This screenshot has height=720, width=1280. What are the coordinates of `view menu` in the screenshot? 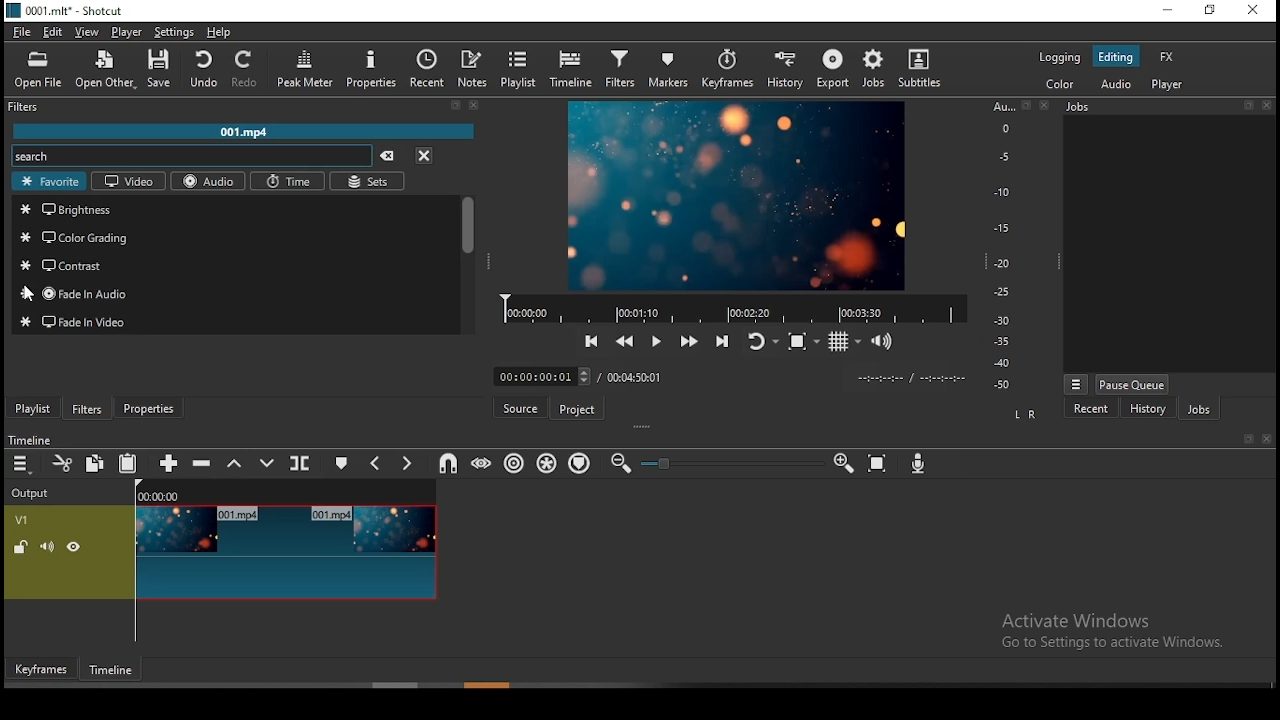 It's located at (1076, 383).